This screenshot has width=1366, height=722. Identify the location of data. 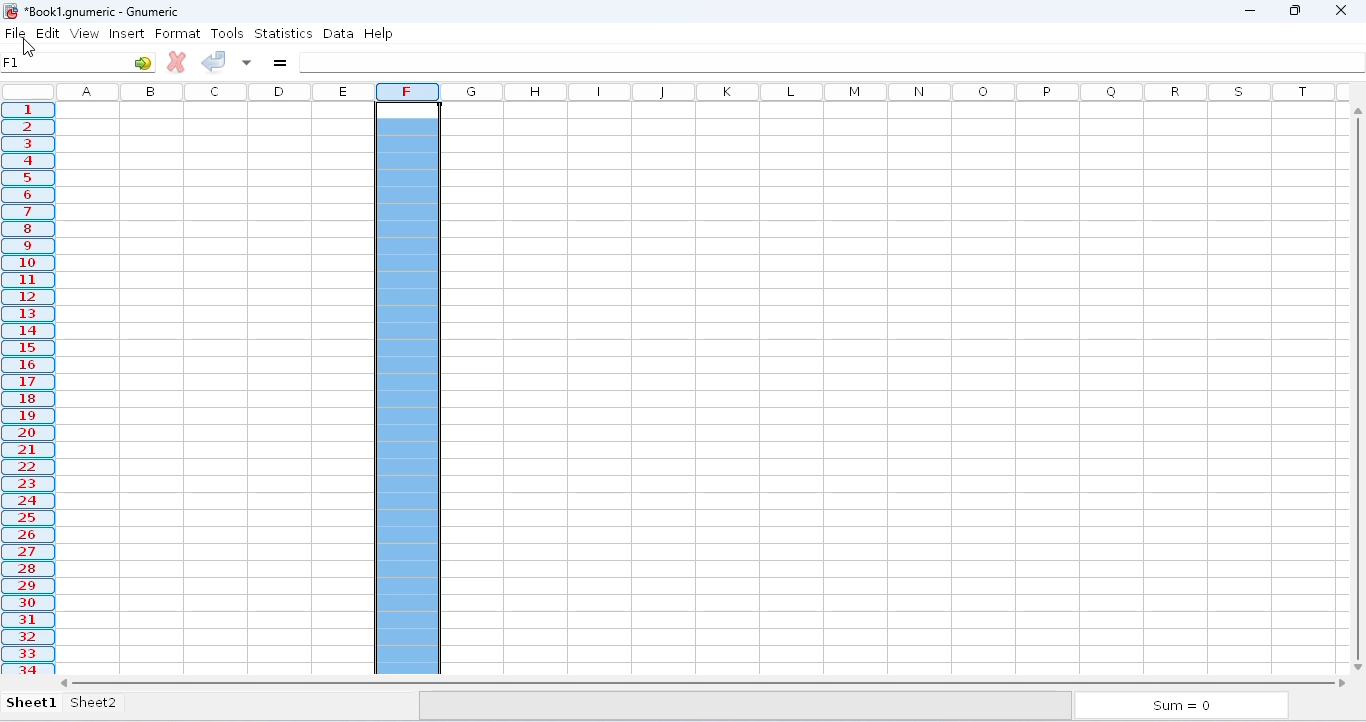
(339, 33).